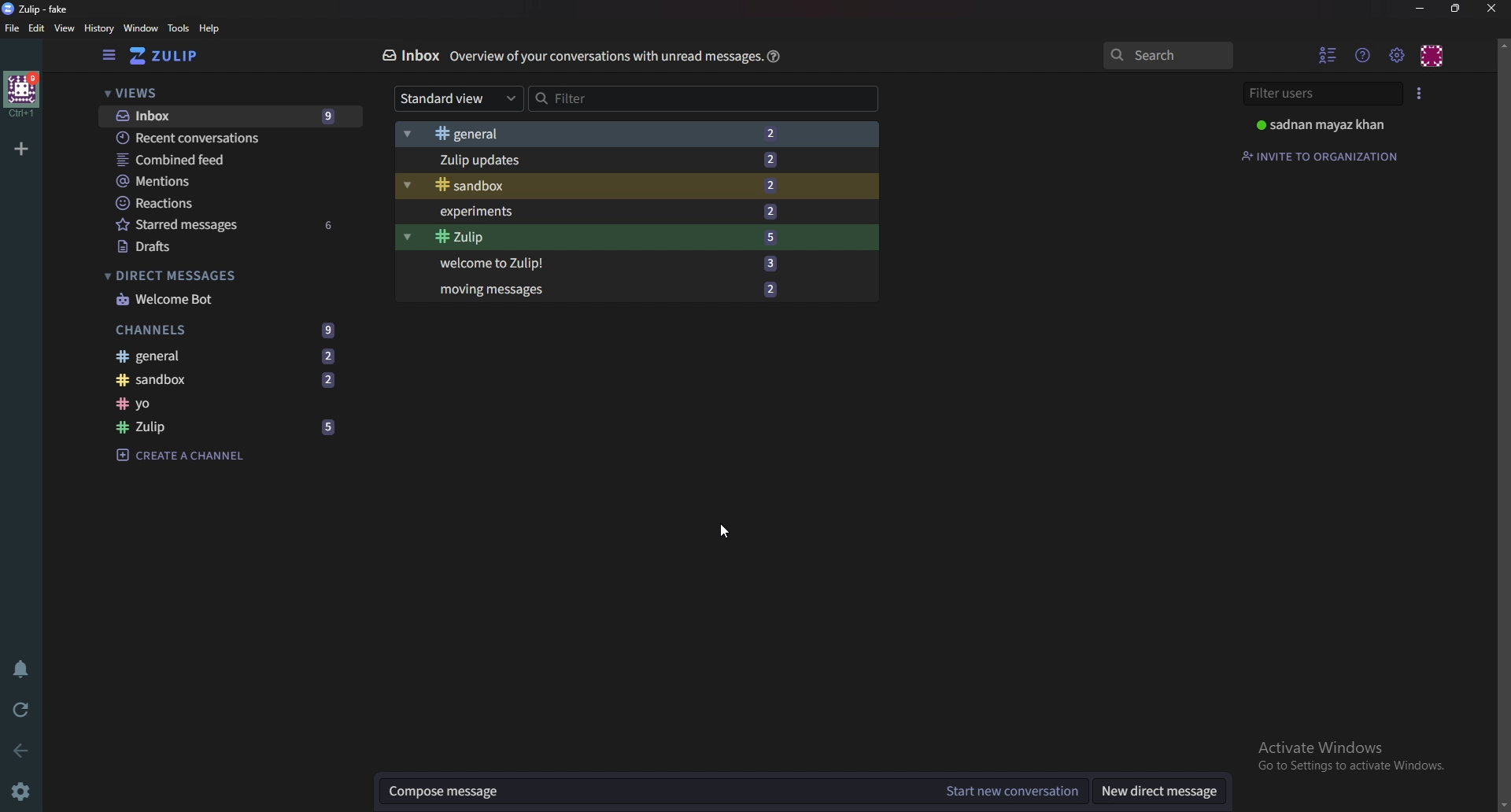  What do you see at coordinates (20, 794) in the screenshot?
I see `settings` at bounding box center [20, 794].